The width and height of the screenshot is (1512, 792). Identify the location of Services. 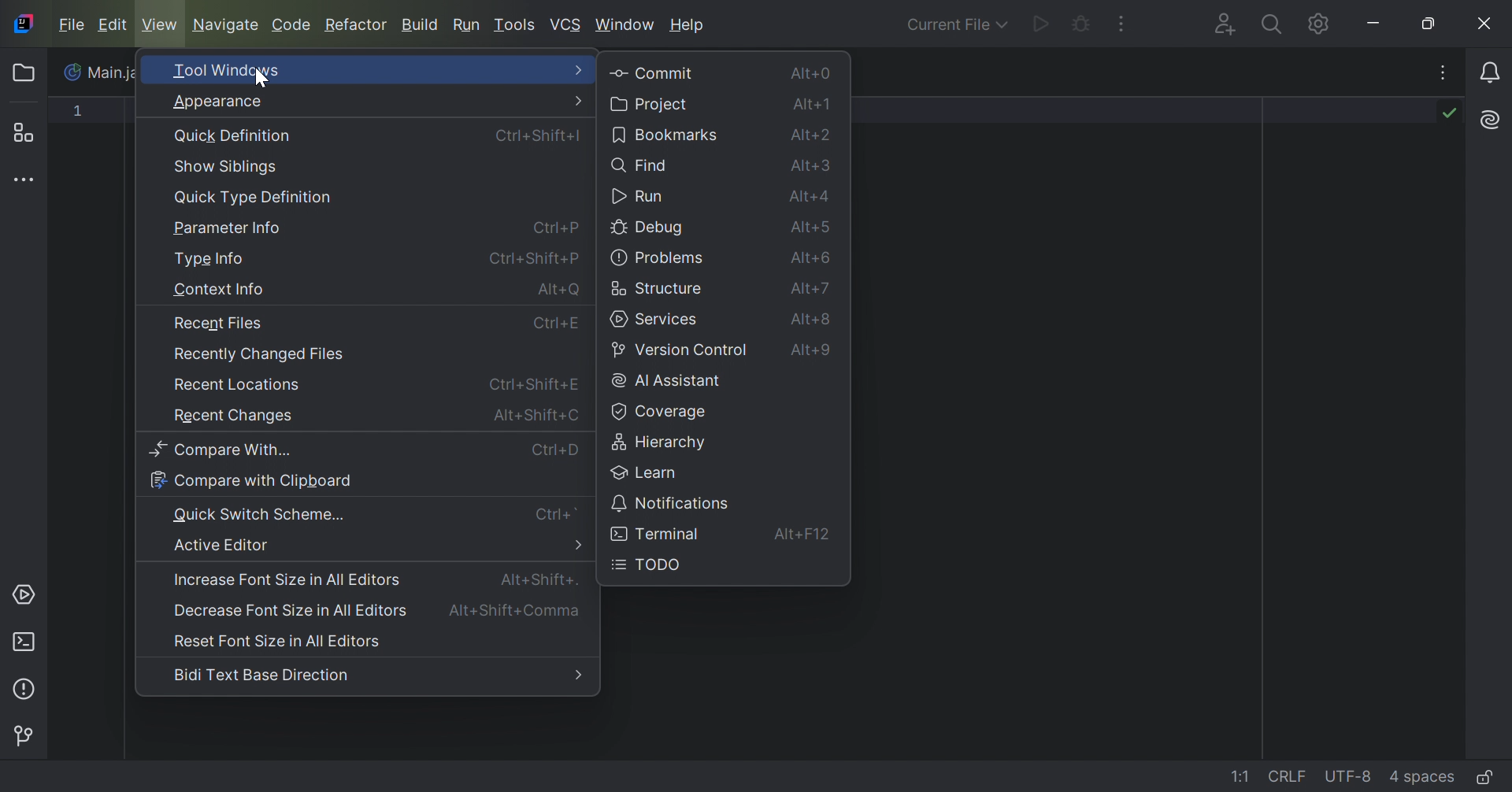
(658, 320).